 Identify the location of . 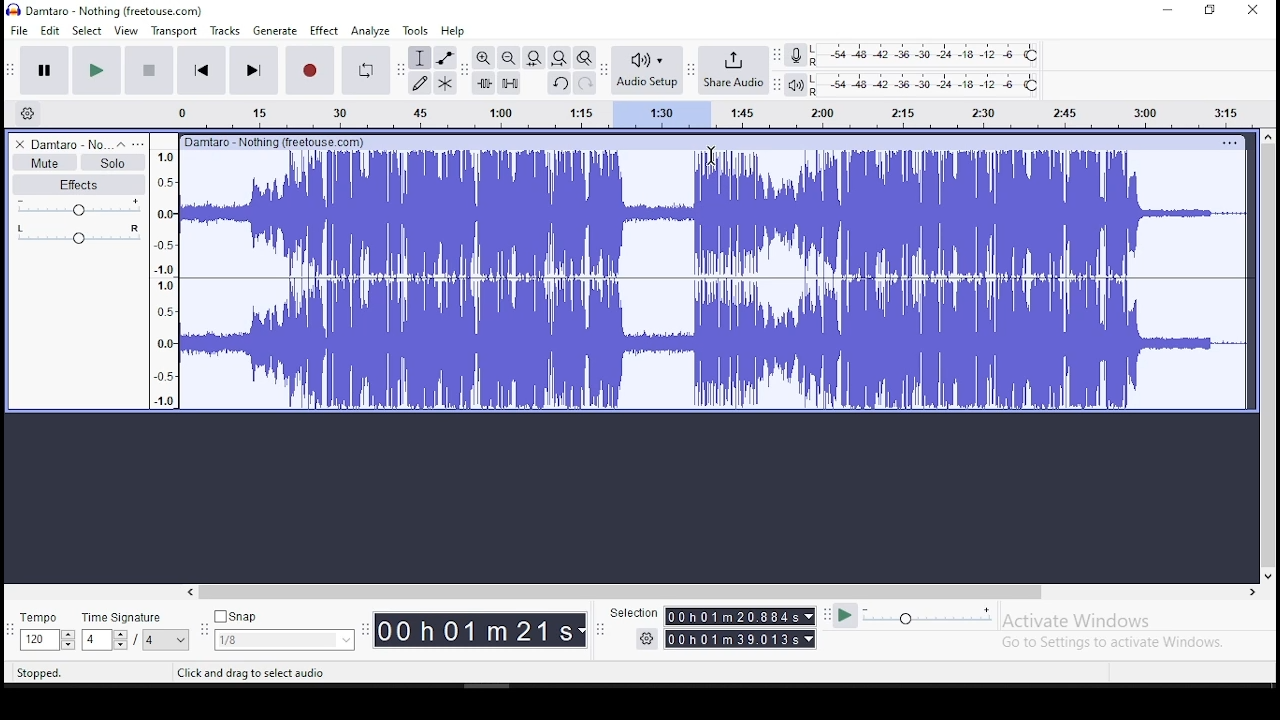
(277, 141).